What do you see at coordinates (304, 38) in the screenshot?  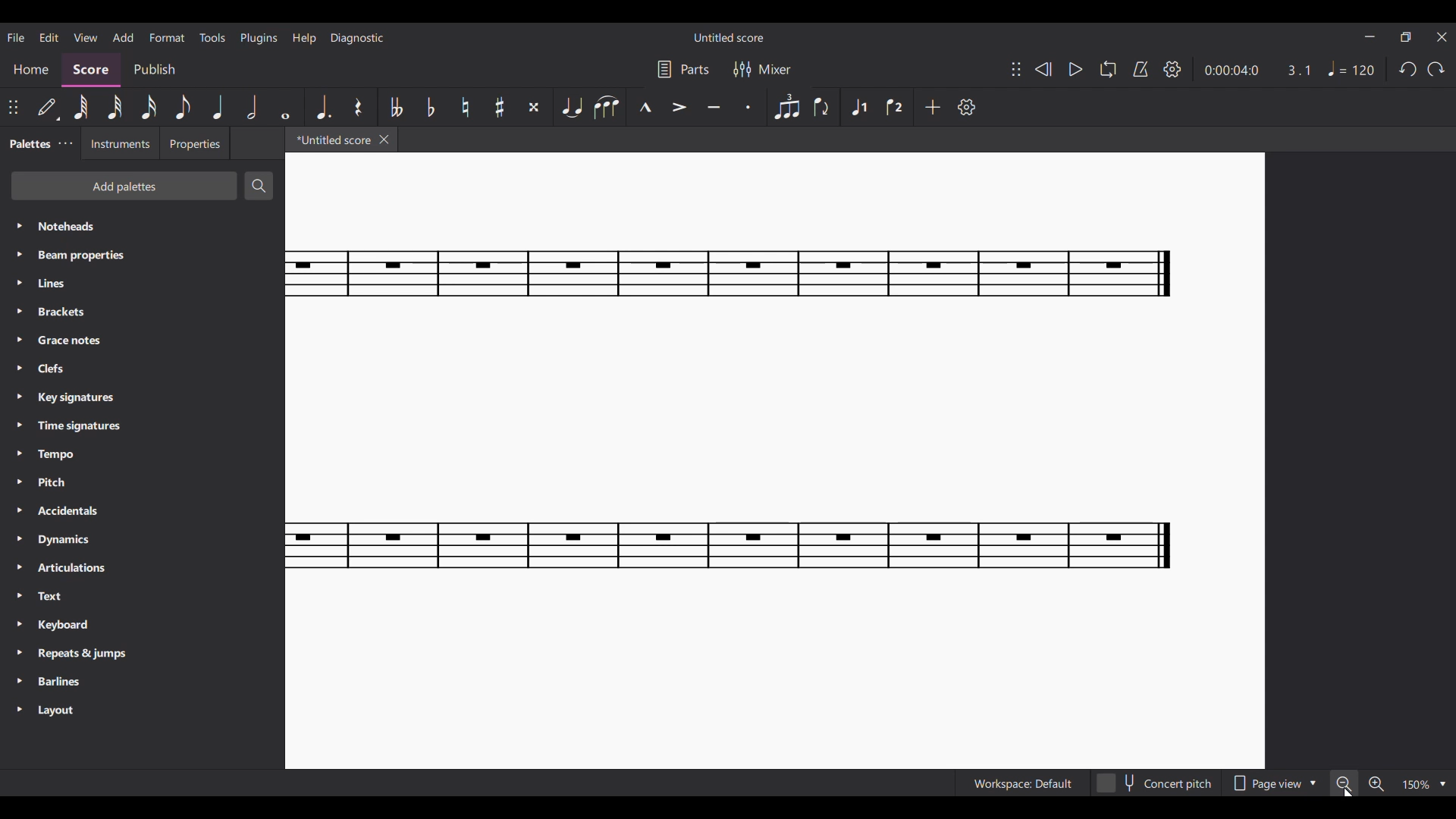 I see `Help menu` at bounding box center [304, 38].